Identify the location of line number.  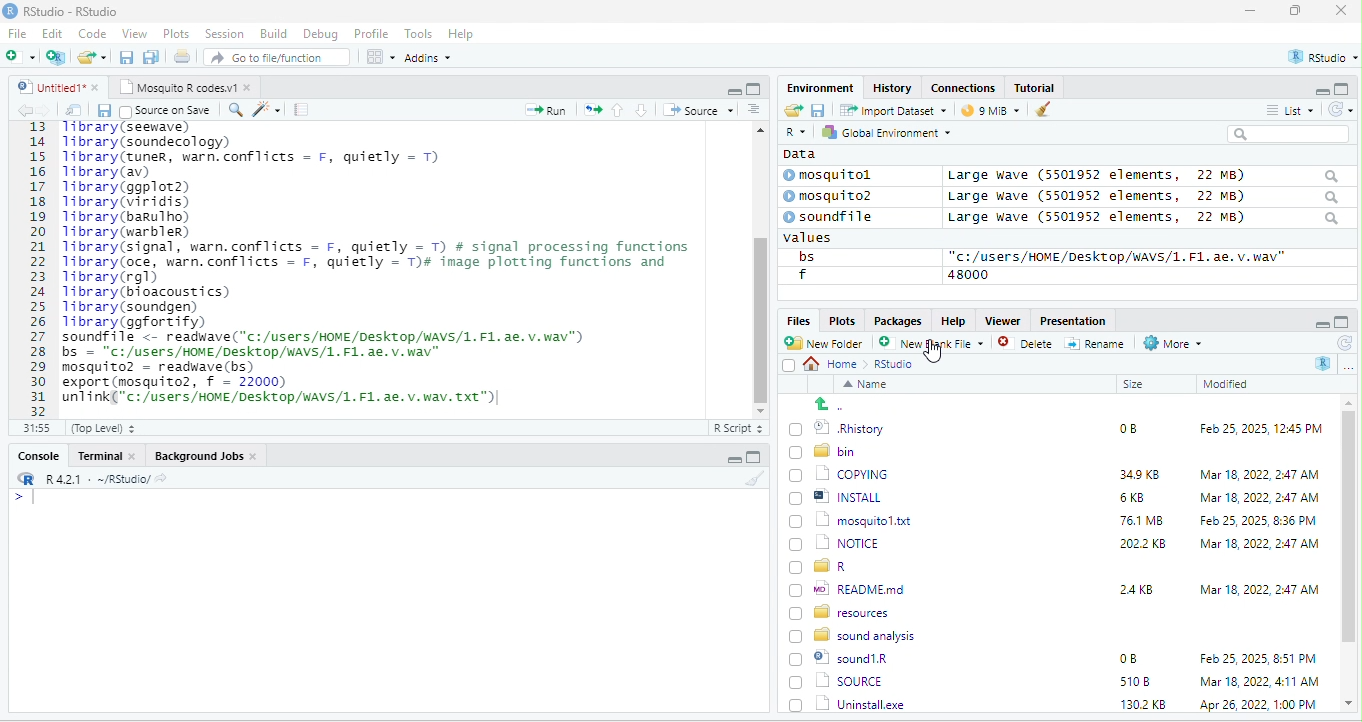
(40, 268).